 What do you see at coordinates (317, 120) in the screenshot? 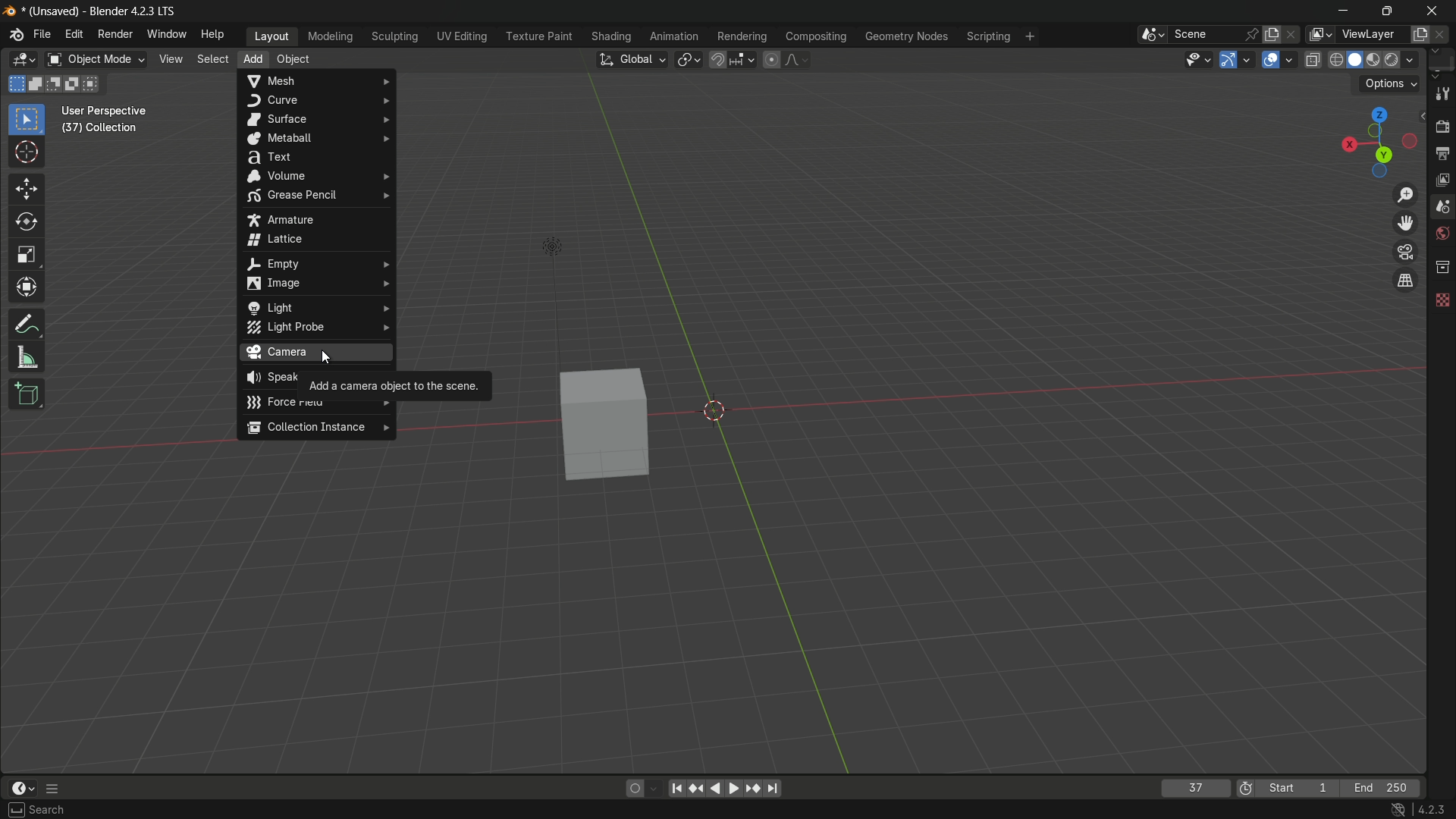
I see `surface` at bounding box center [317, 120].